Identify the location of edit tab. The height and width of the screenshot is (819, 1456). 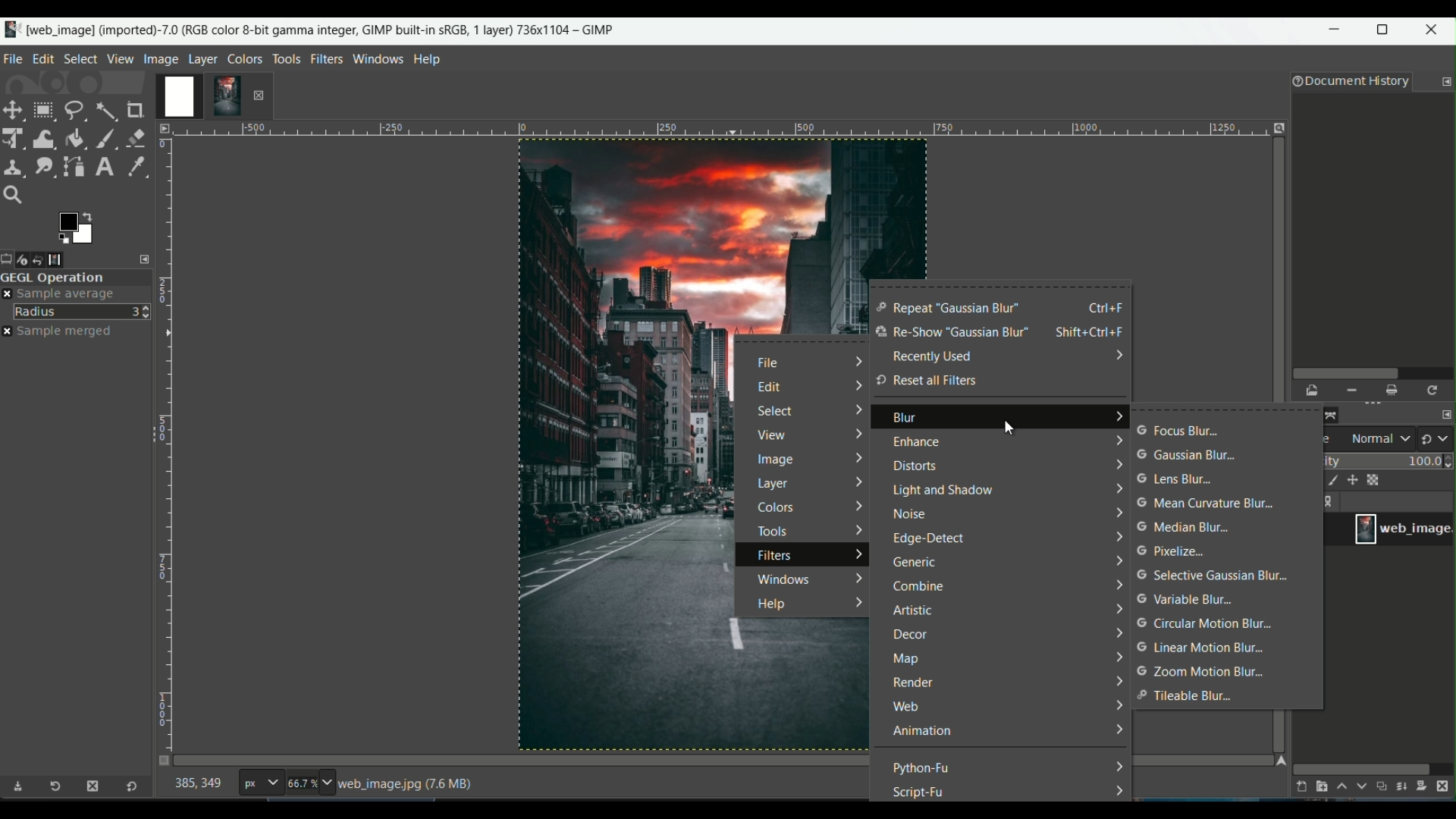
(43, 58).